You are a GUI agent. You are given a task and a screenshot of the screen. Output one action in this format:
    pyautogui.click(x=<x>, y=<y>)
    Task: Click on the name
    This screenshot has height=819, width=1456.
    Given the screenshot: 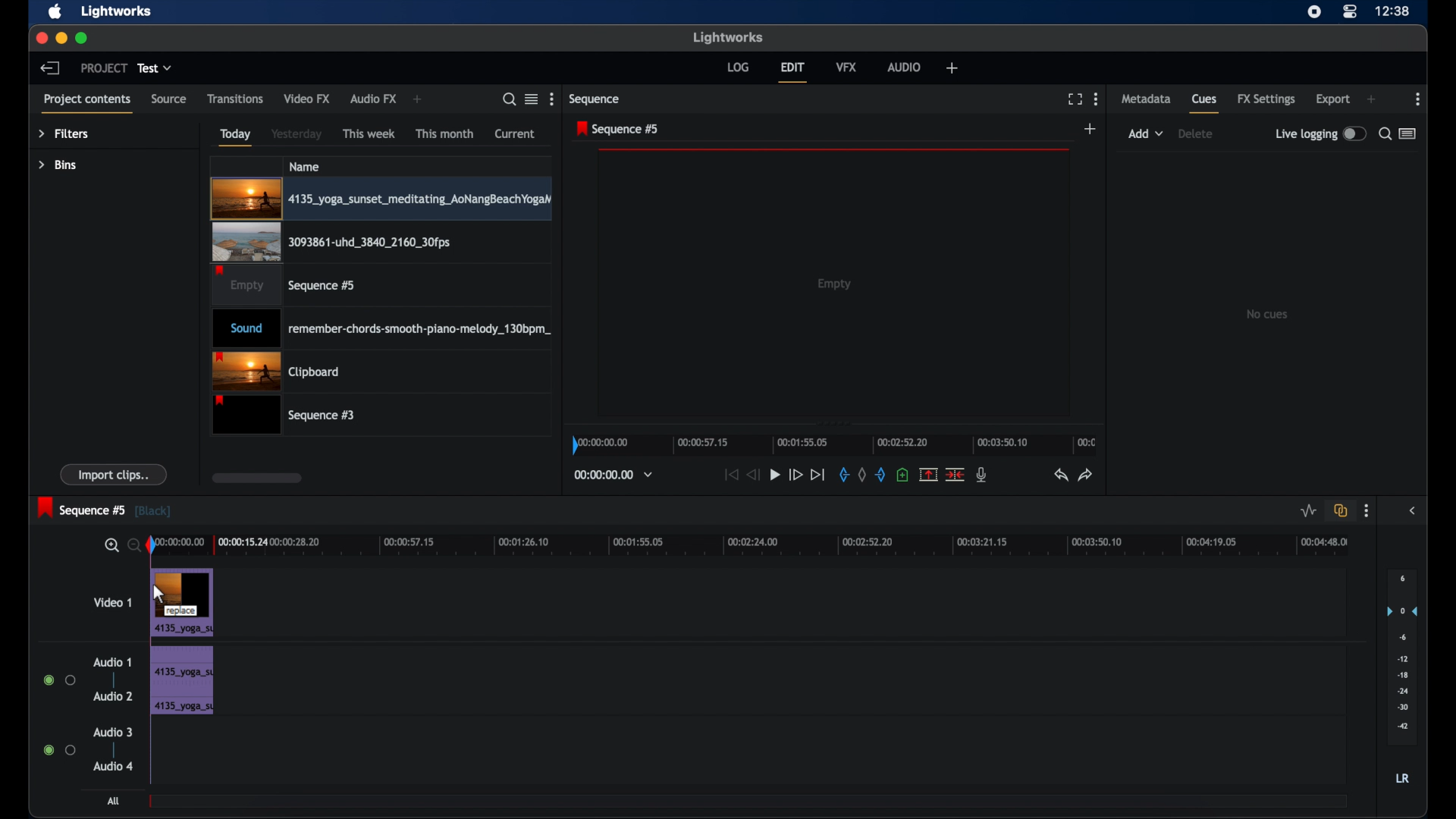 What is the action you would take?
    pyautogui.click(x=305, y=166)
    